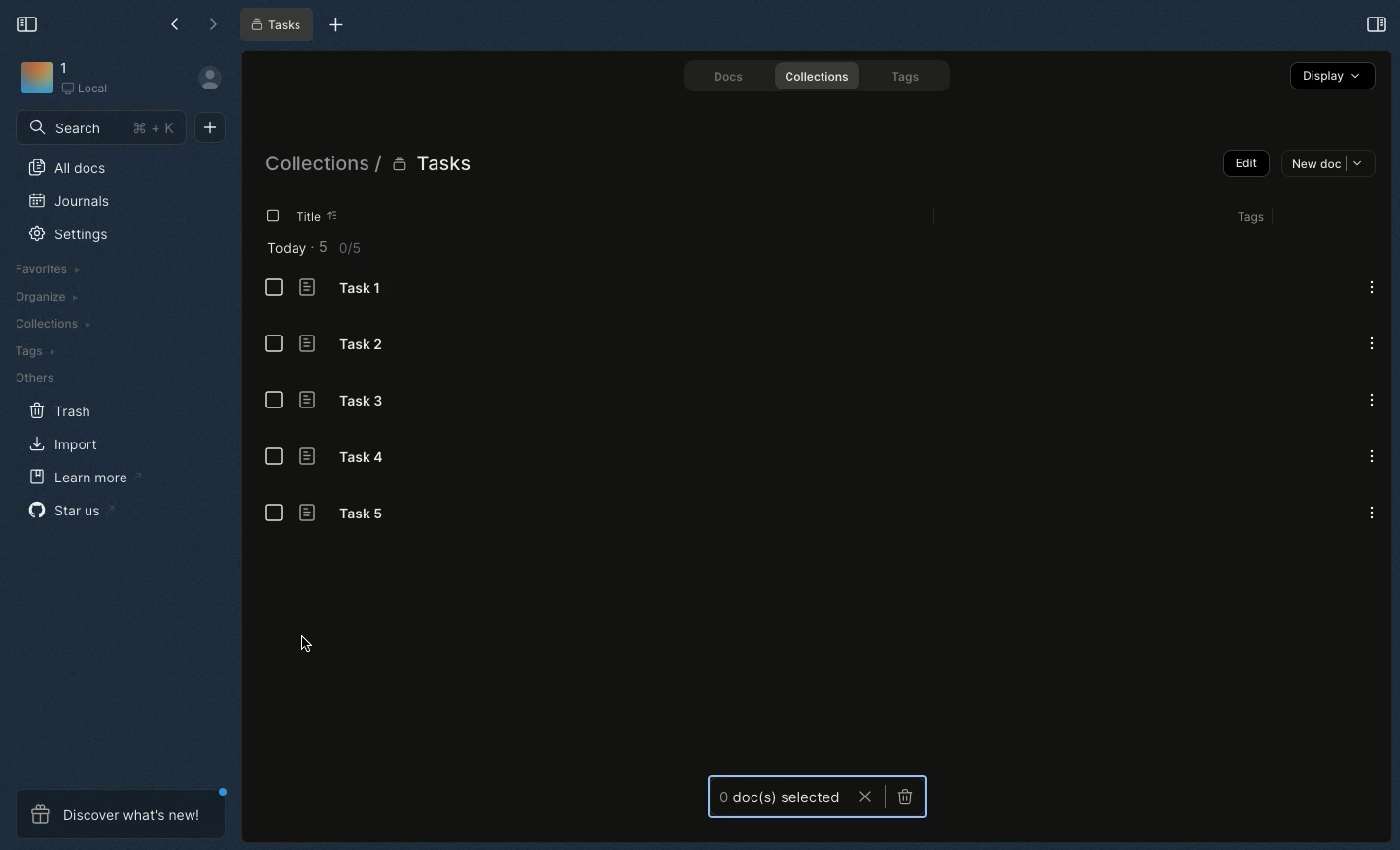 This screenshot has height=850, width=1400. I want to click on Back, so click(176, 23).